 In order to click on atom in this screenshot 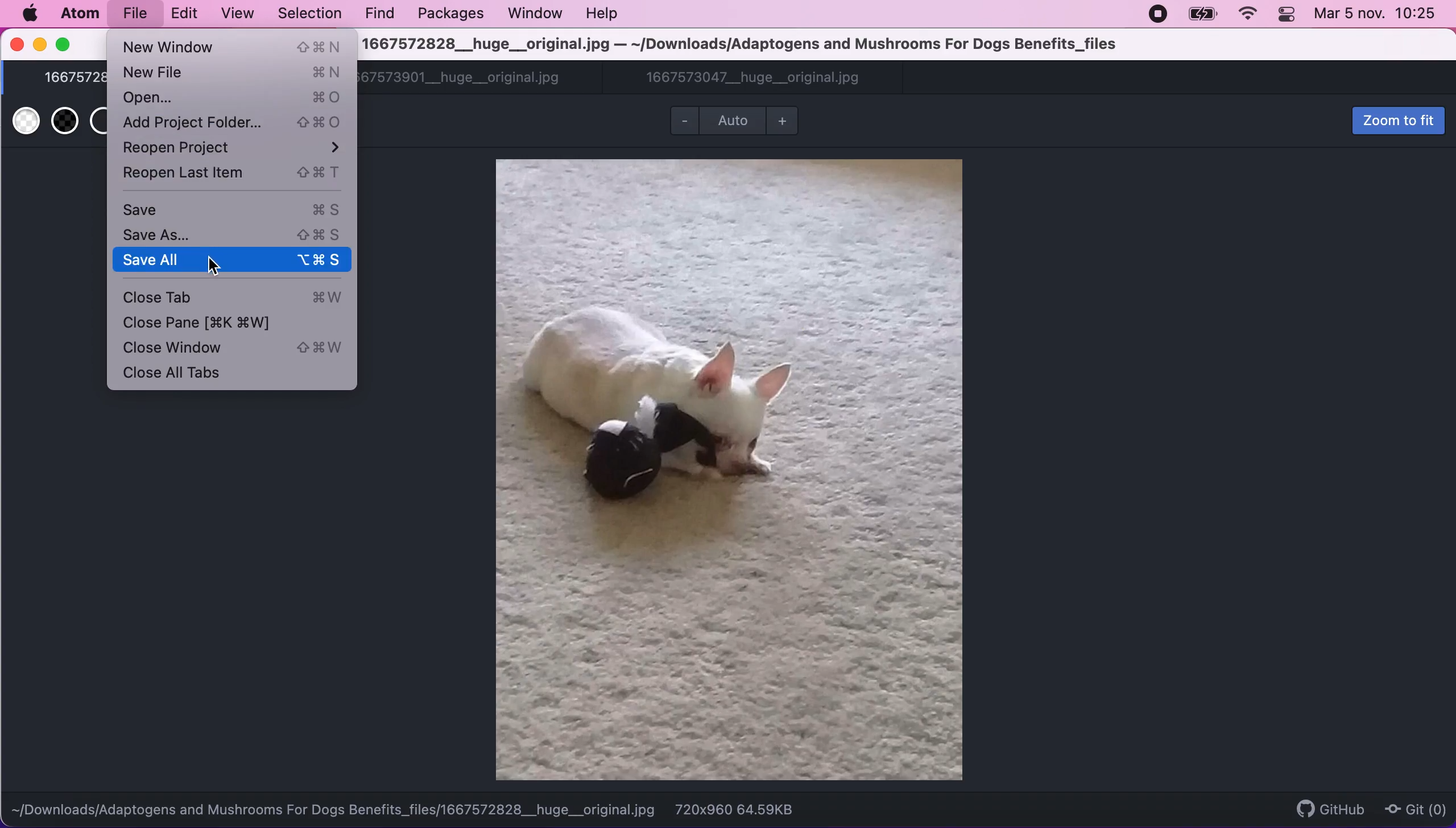, I will do `click(85, 15)`.